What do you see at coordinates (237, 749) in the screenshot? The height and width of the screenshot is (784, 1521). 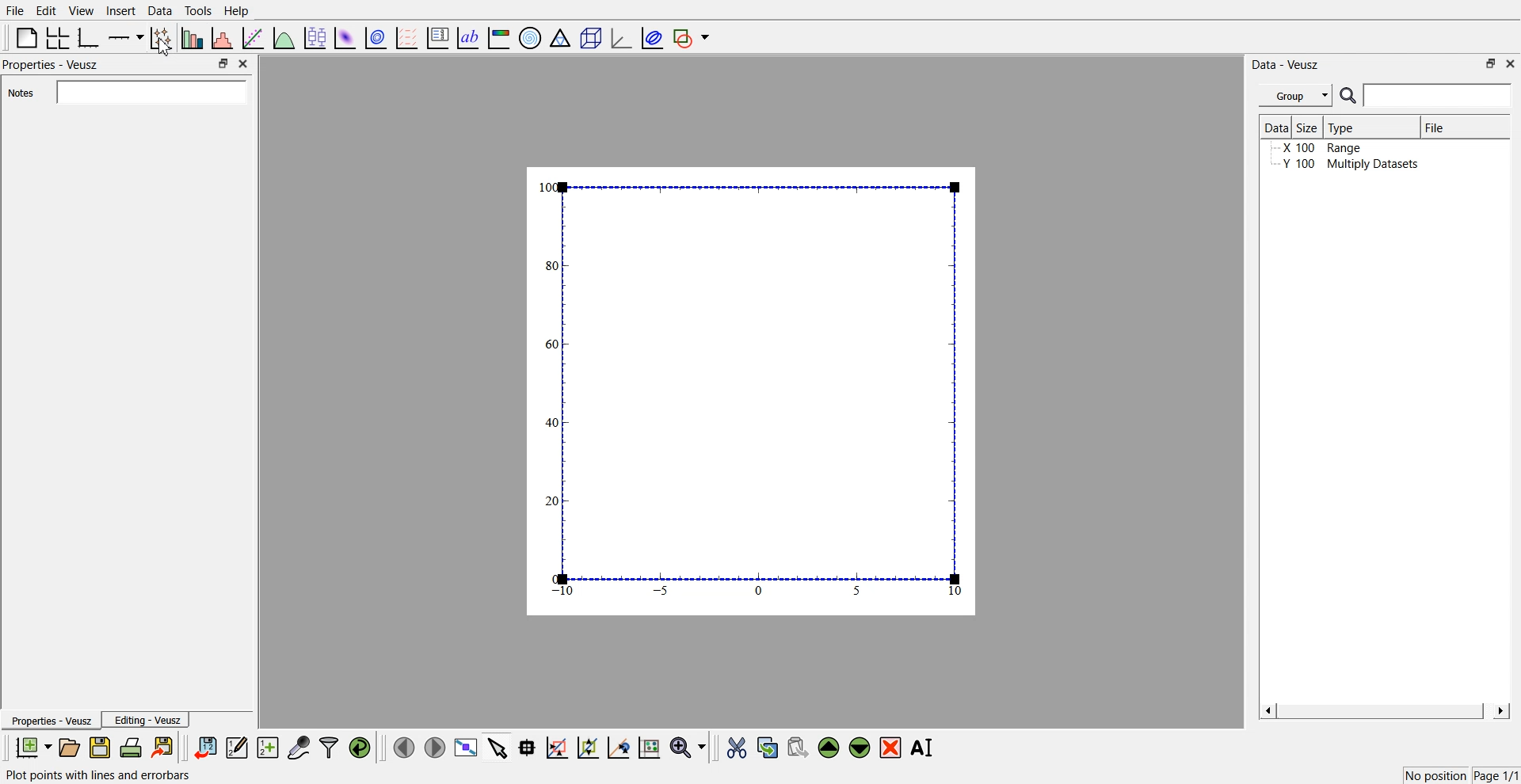 I see `edit and enter data points` at bounding box center [237, 749].